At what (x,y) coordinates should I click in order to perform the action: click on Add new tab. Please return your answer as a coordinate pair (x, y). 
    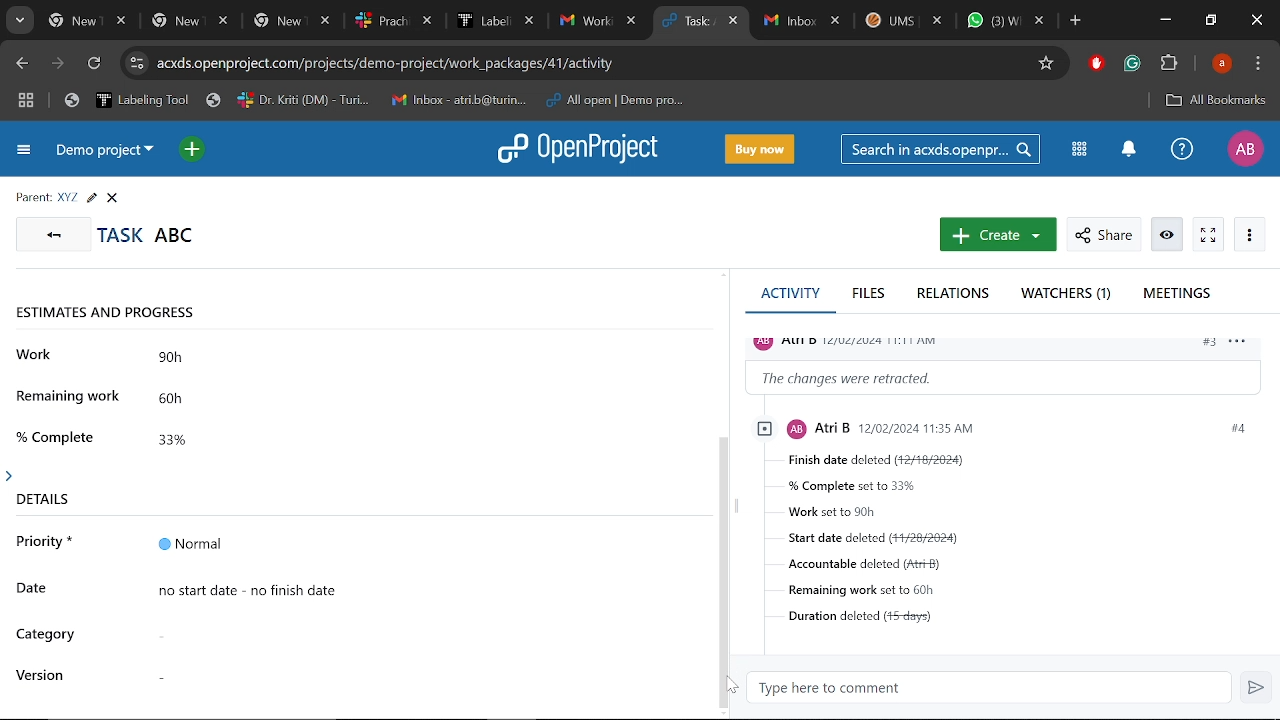
    Looking at the image, I should click on (1077, 23).